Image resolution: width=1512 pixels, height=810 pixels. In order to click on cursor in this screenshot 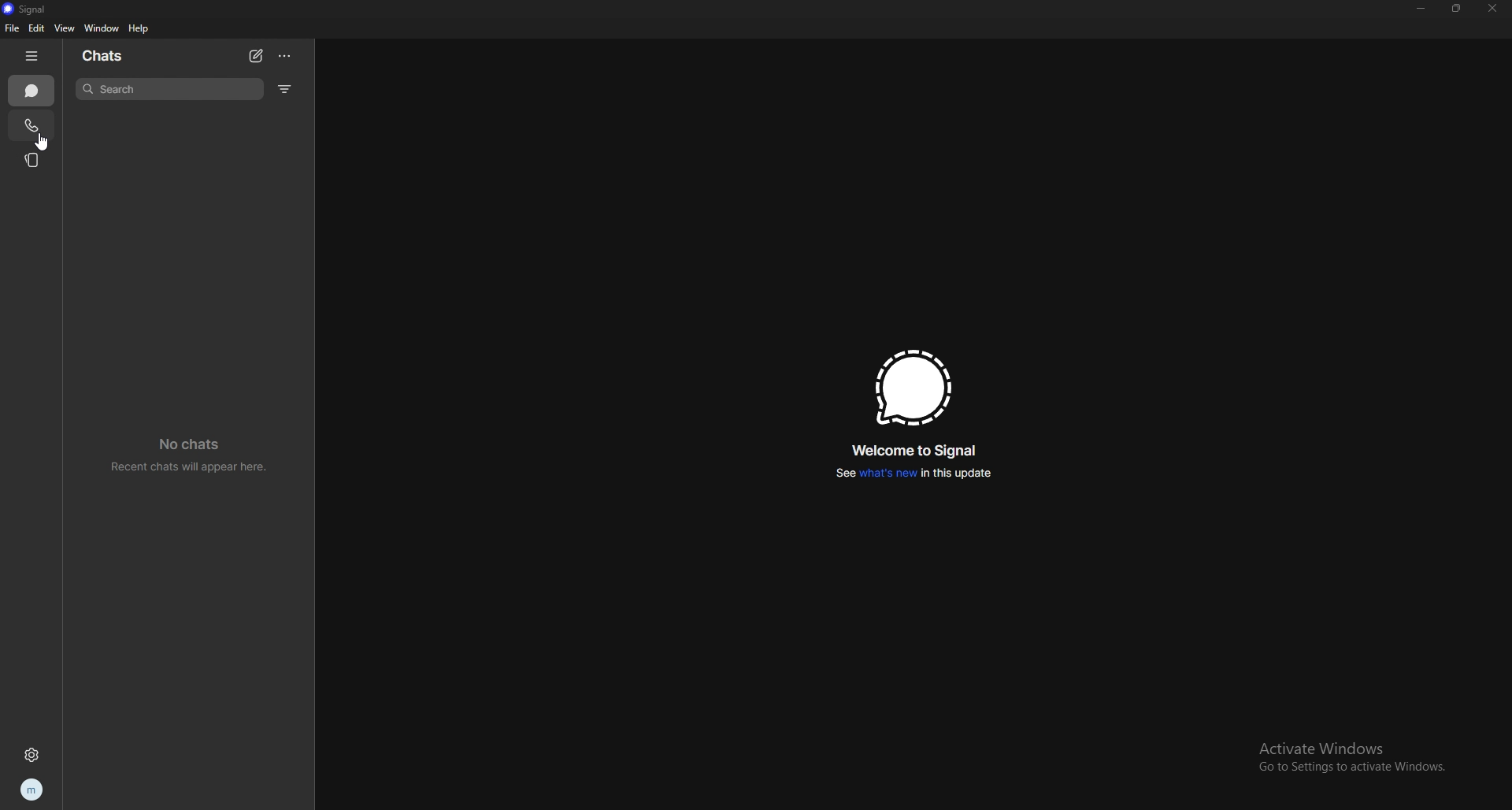, I will do `click(43, 144)`.